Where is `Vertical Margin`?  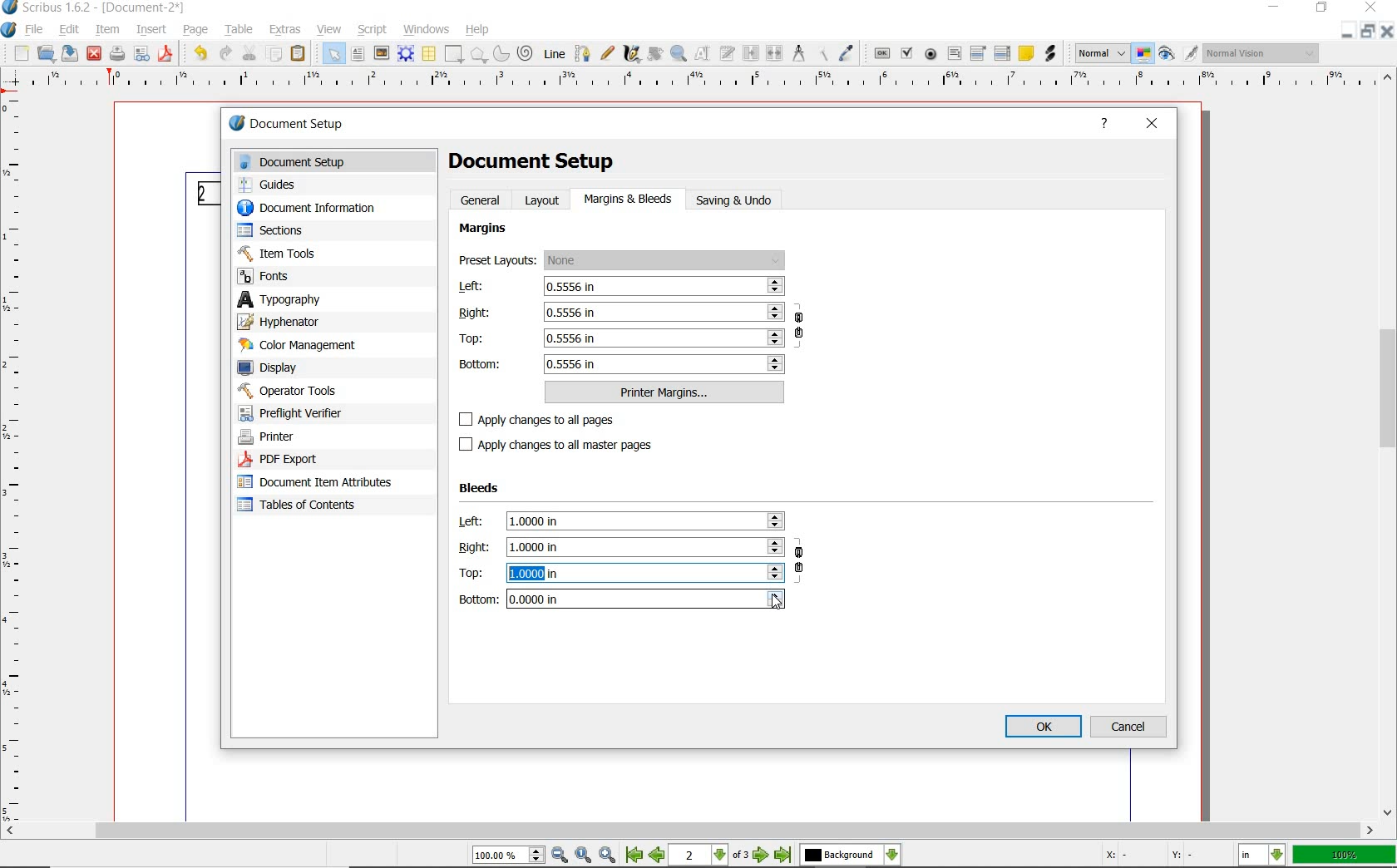
Vertical Margin is located at coordinates (16, 459).